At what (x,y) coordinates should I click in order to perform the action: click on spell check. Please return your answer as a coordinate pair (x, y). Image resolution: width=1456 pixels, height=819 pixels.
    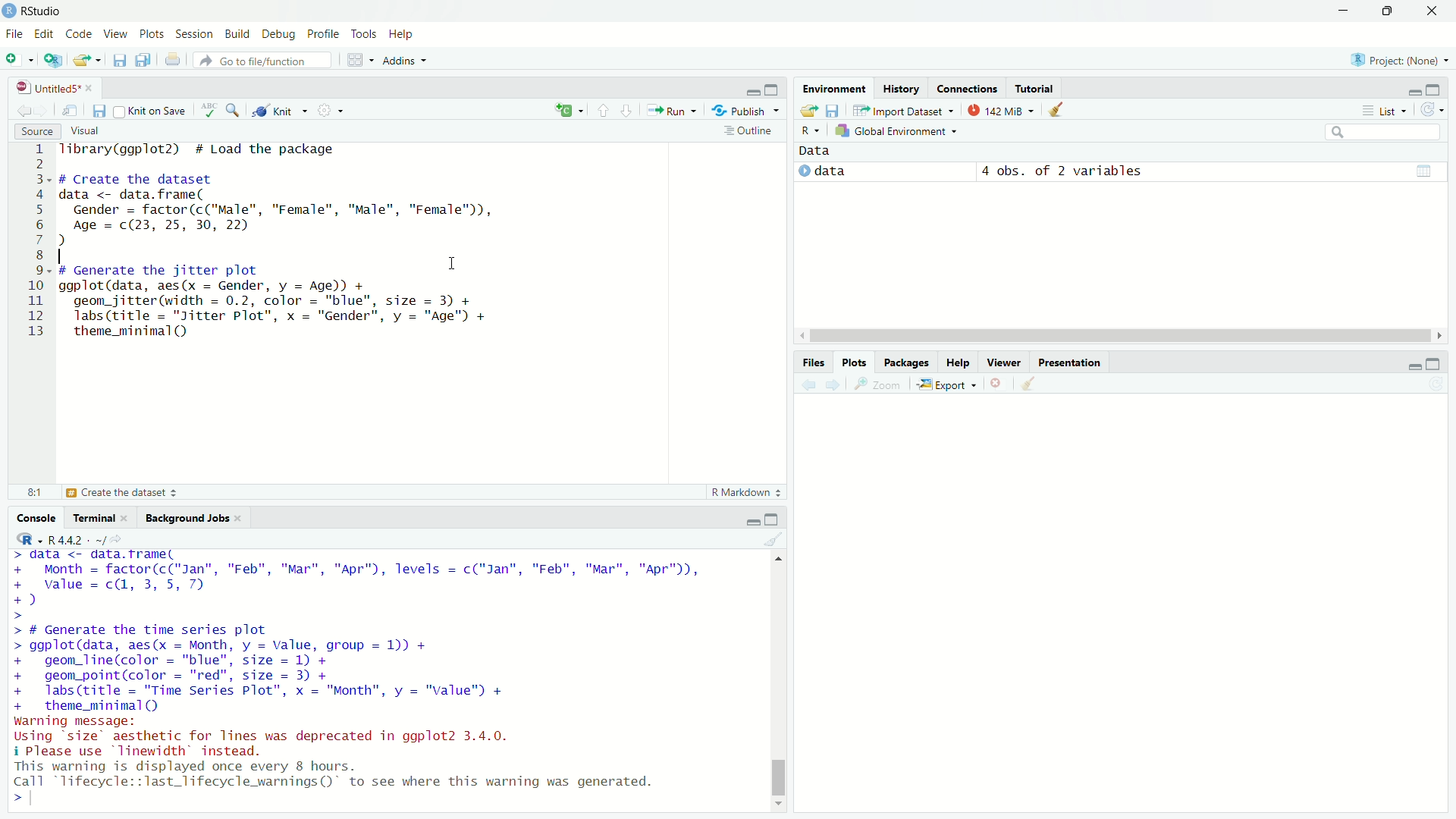
    Looking at the image, I should click on (209, 111).